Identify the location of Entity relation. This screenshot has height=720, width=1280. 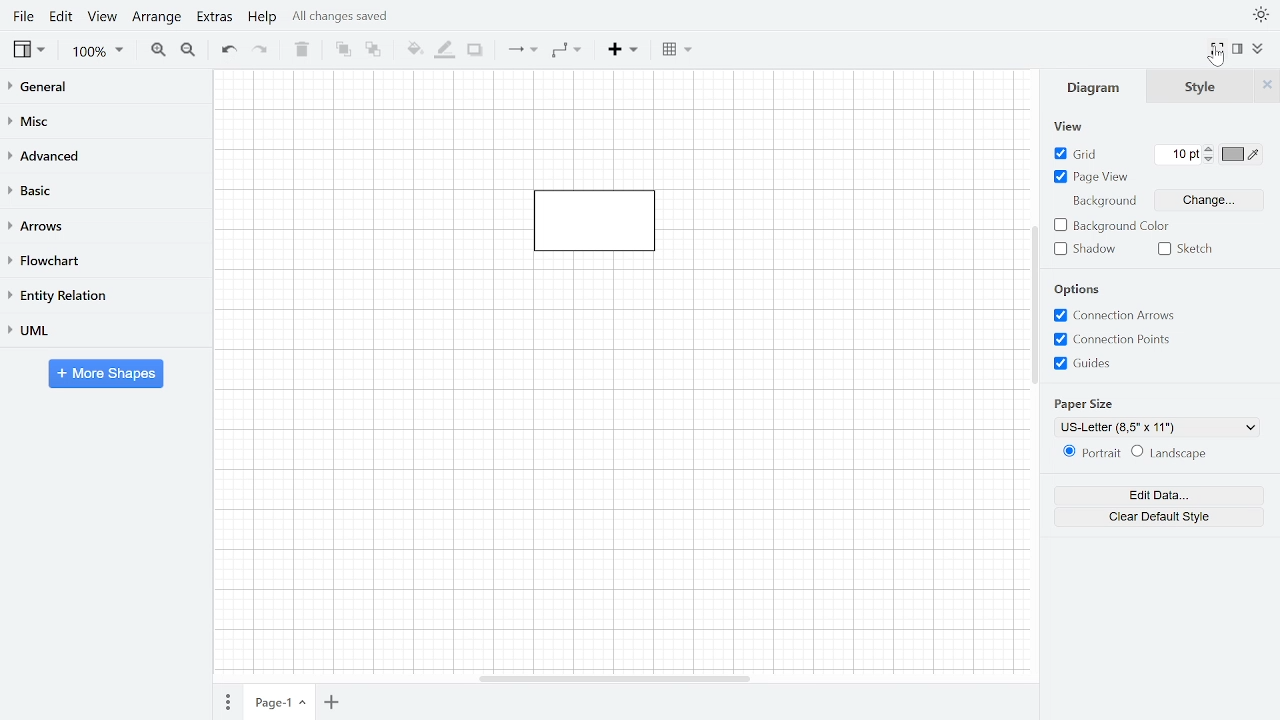
(105, 297).